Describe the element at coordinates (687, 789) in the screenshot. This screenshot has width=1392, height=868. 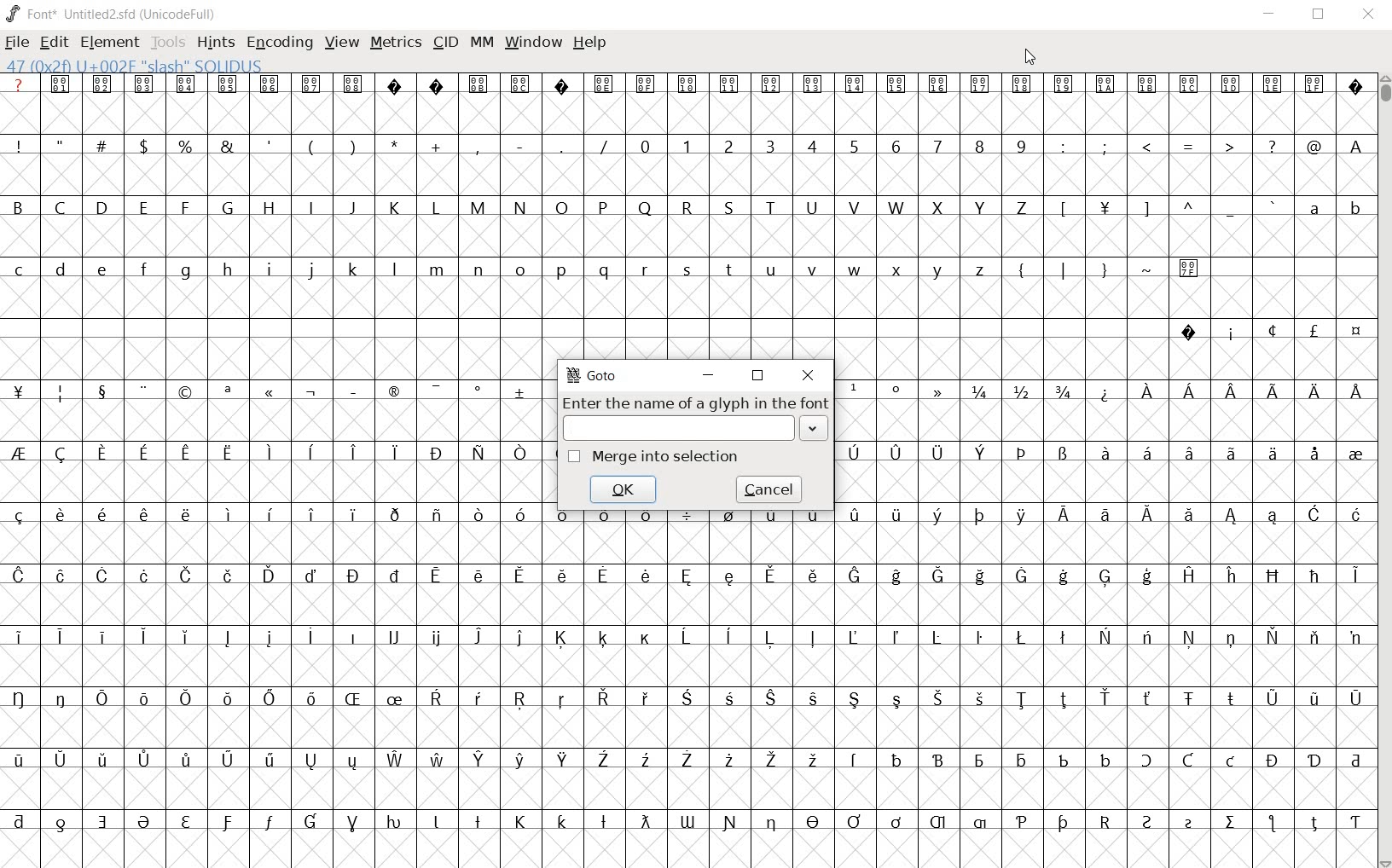
I see `empty cells` at that location.